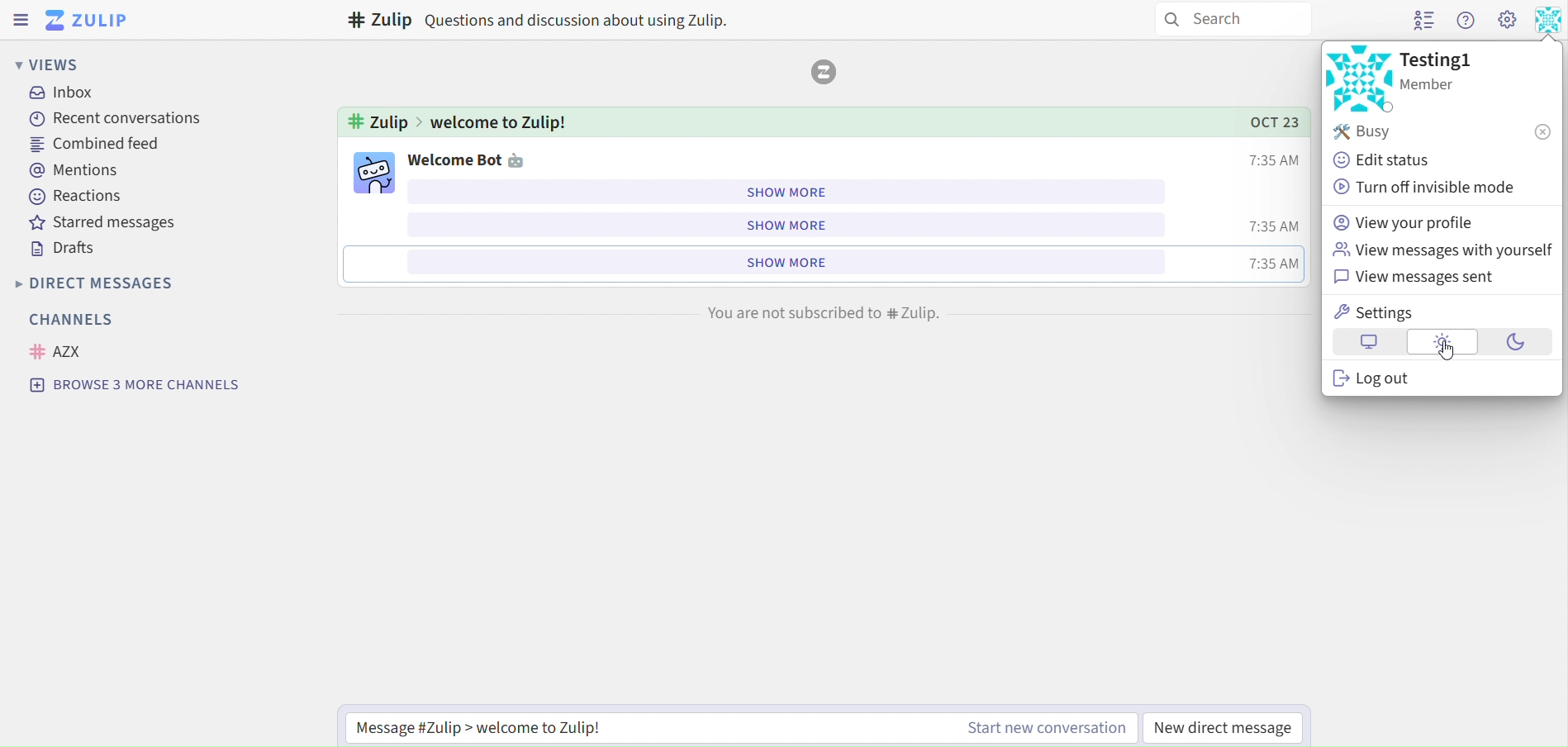  What do you see at coordinates (64, 95) in the screenshot?
I see `inbox` at bounding box center [64, 95].